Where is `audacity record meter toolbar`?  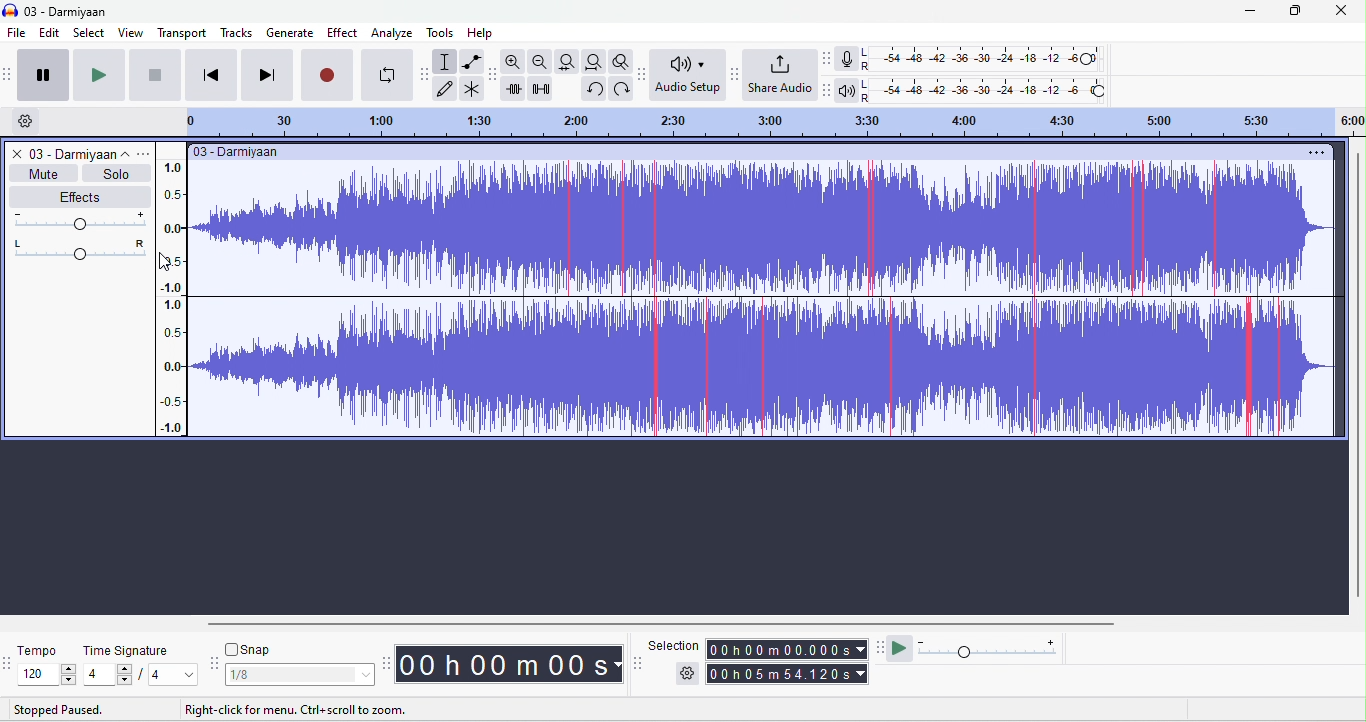 audacity record meter toolbar is located at coordinates (828, 58).